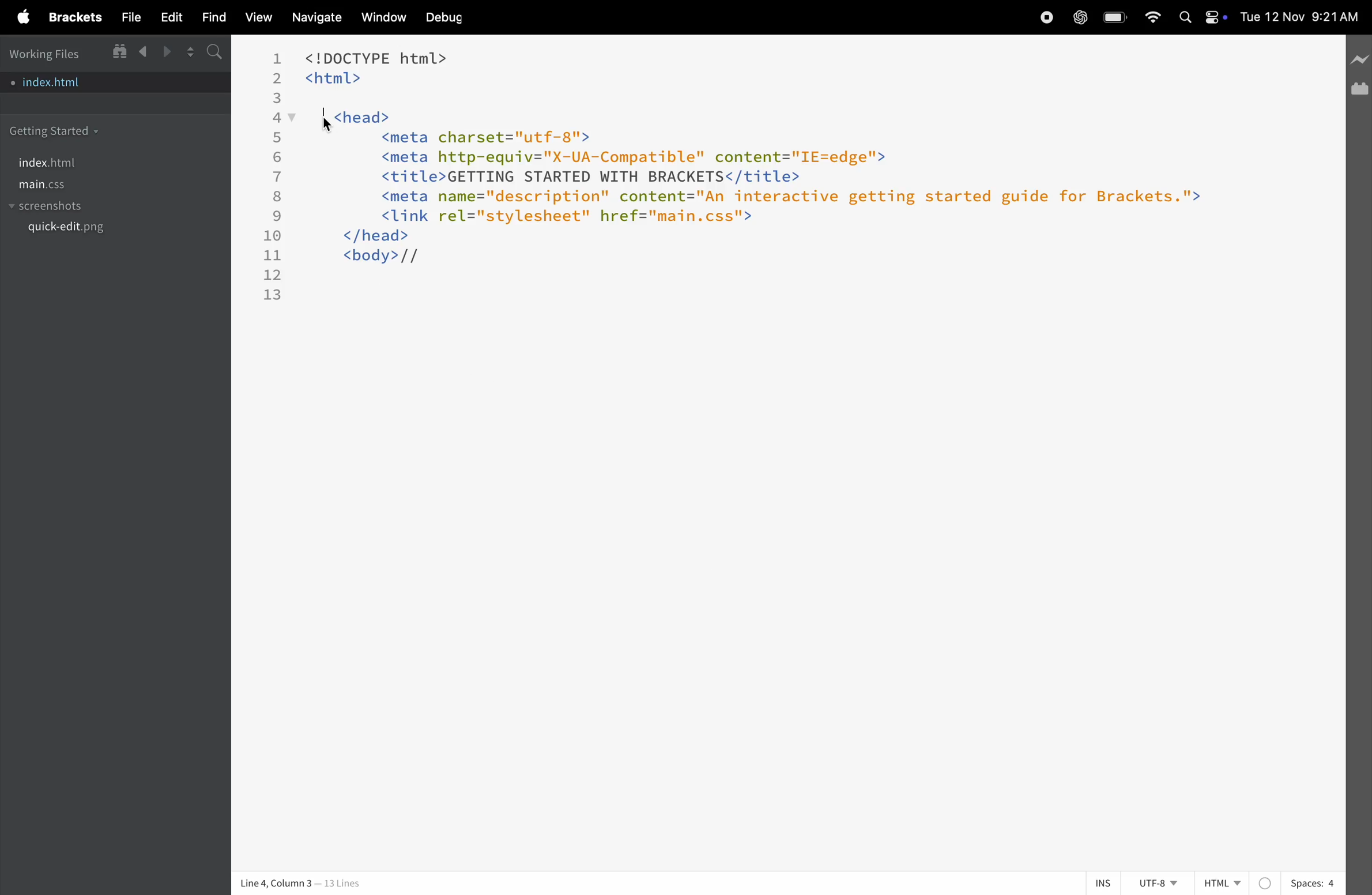 This screenshot has width=1372, height=895. What do you see at coordinates (1114, 18) in the screenshot?
I see `battery` at bounding box center [1114, 18].